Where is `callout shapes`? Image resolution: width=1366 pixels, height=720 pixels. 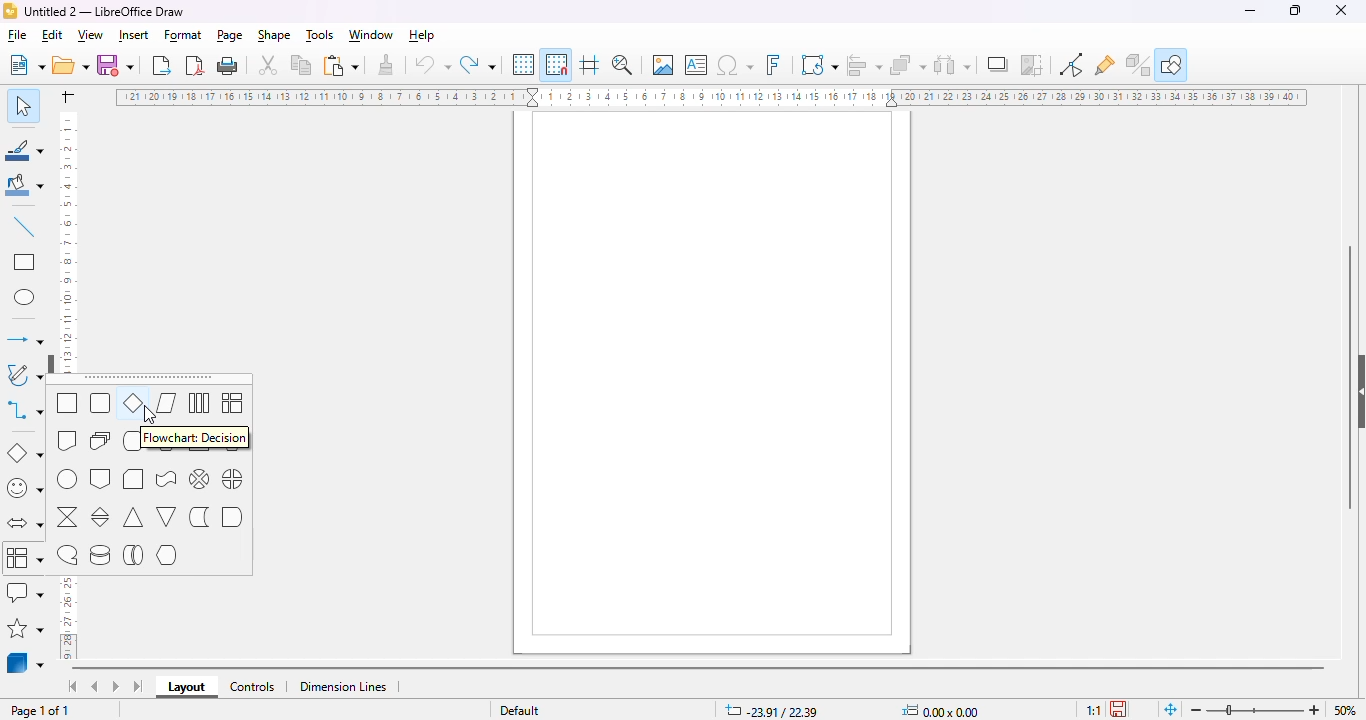
callout shapes is located at coordinates (27, 592).